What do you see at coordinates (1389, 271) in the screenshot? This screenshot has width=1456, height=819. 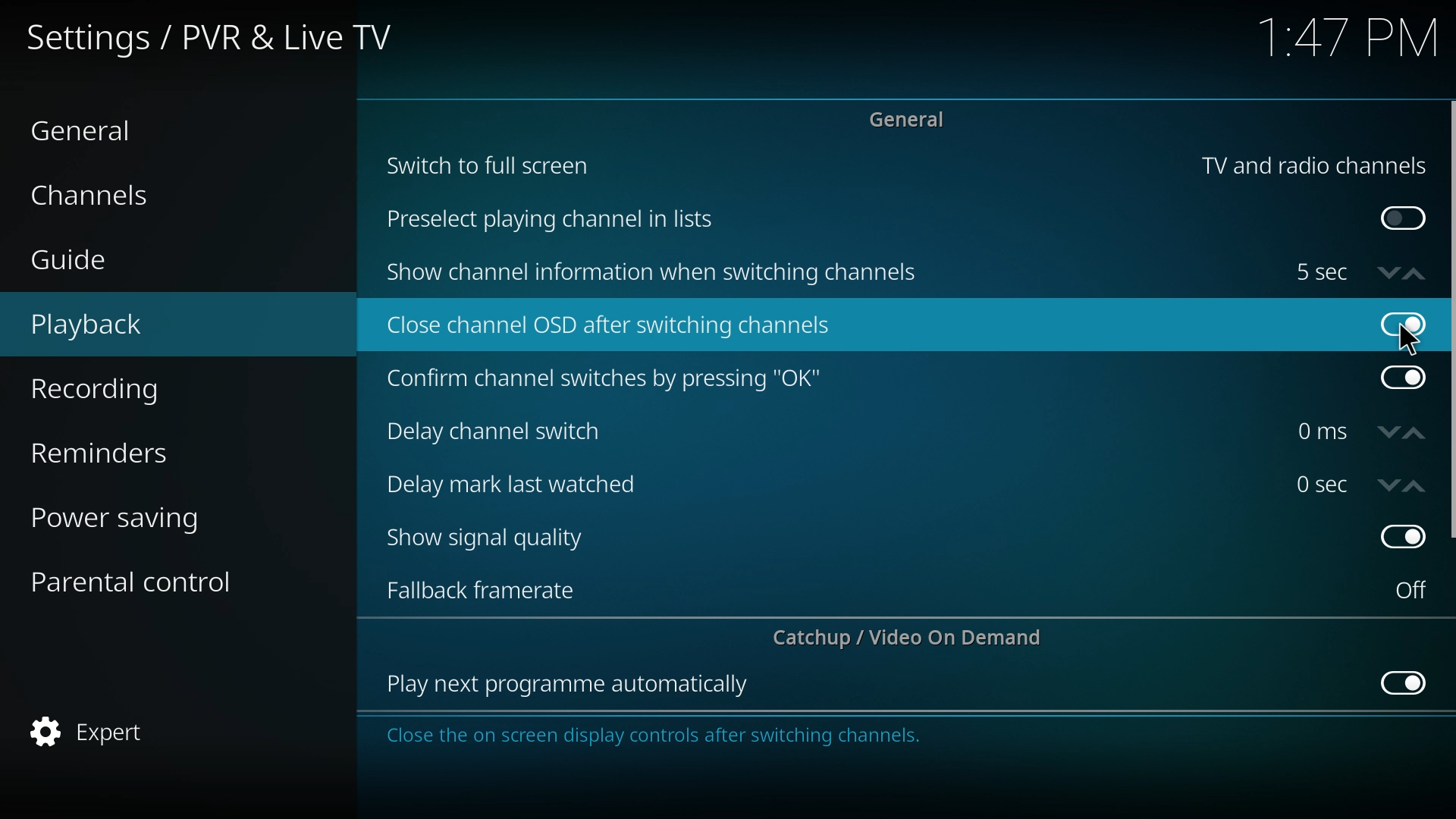 I see `decrease time` at bounding box center [1389, 271].